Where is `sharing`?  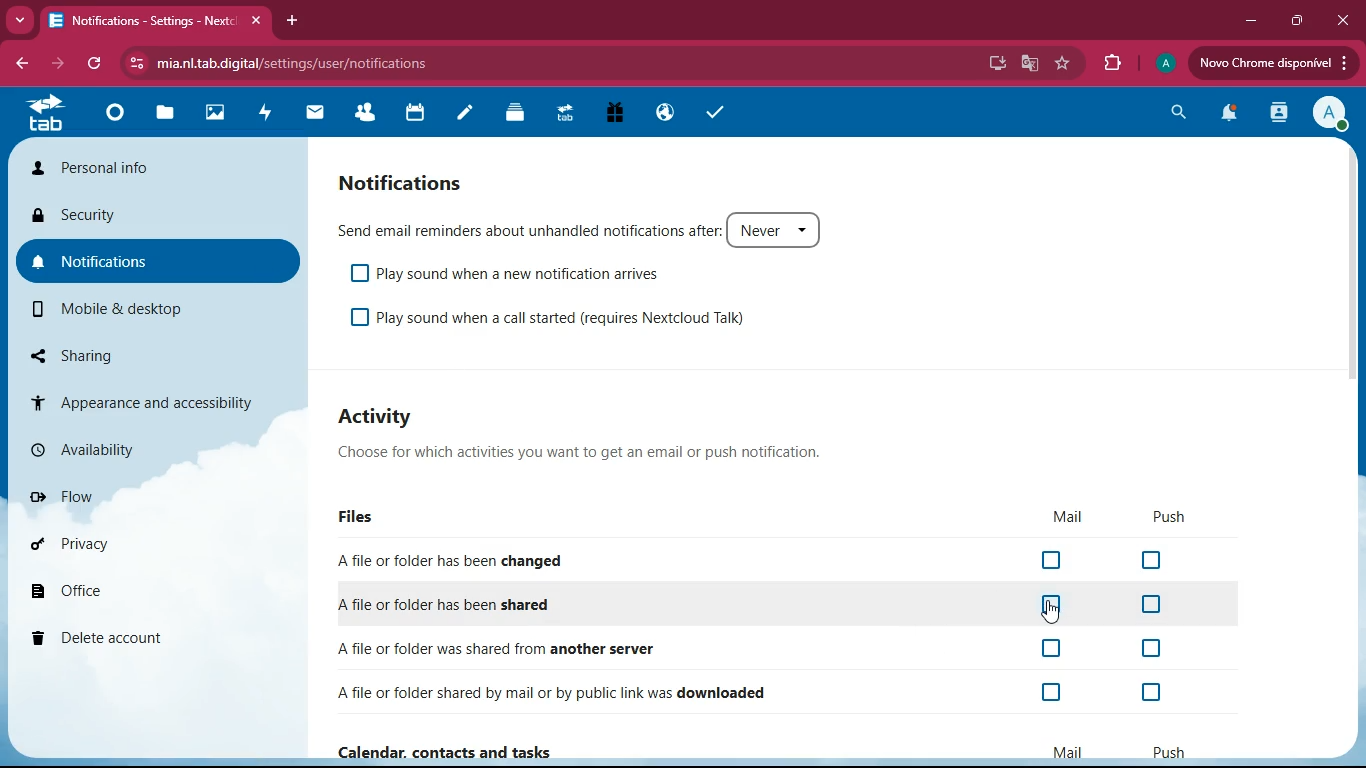
sharing is located at coordinates (89, 351).